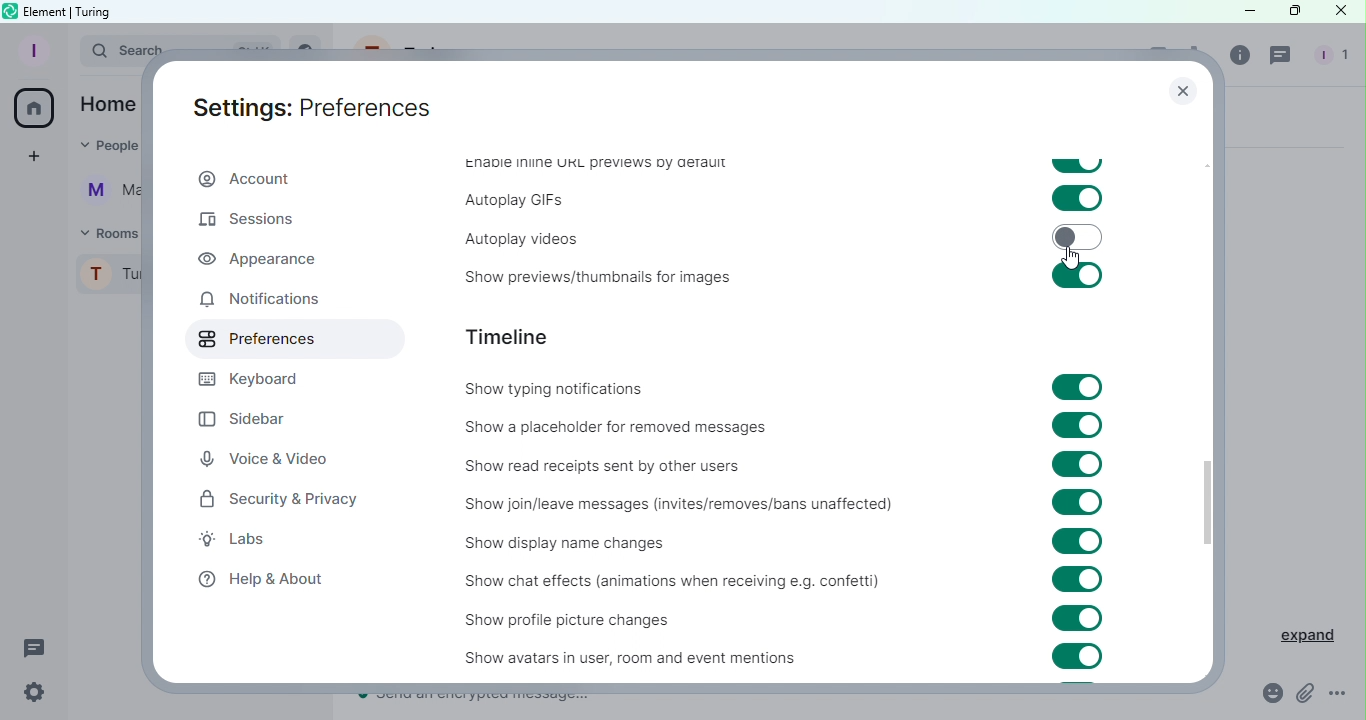  What do you see at coordinates (96, 11) in the screenshot?
I see `turing` at bounding box center [96, 11].